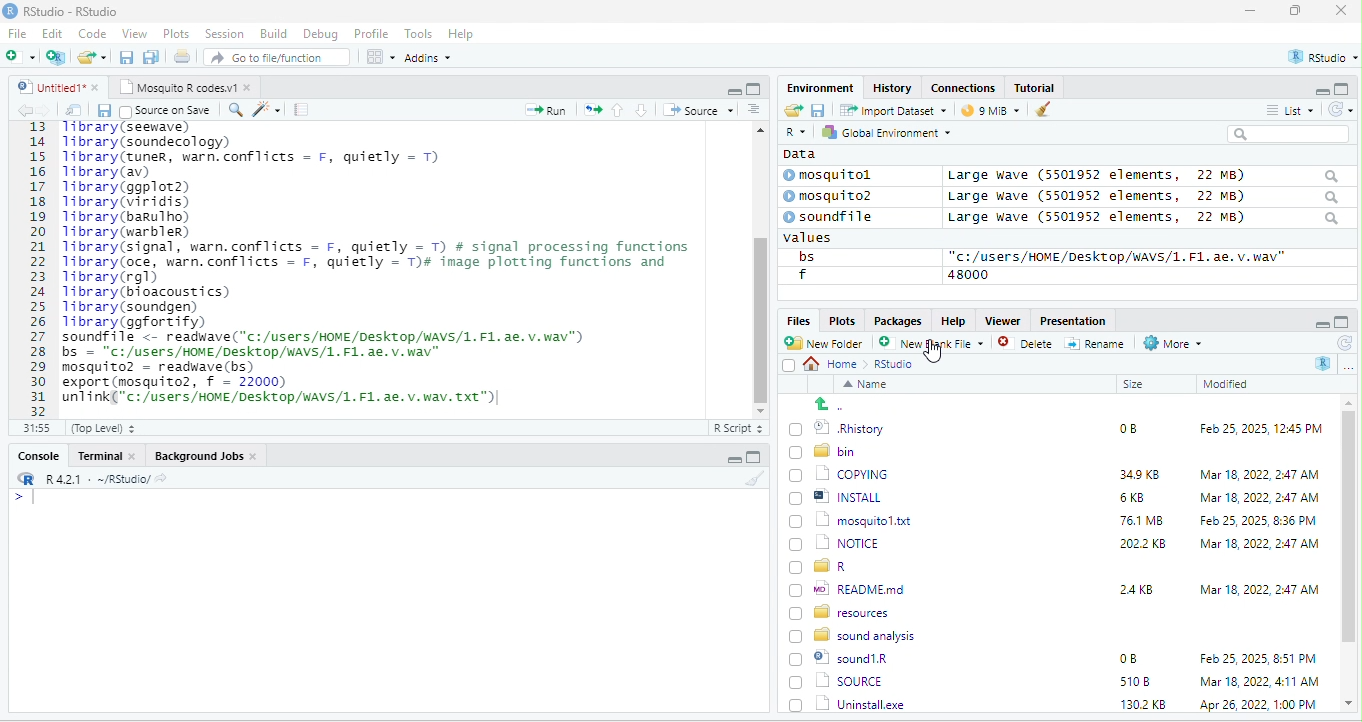  What do you see at coordinates (1259, 588) in the screenshot?
I see `Mar 18, 2022, 2:47 AM` at bounding box center [1259, 588].